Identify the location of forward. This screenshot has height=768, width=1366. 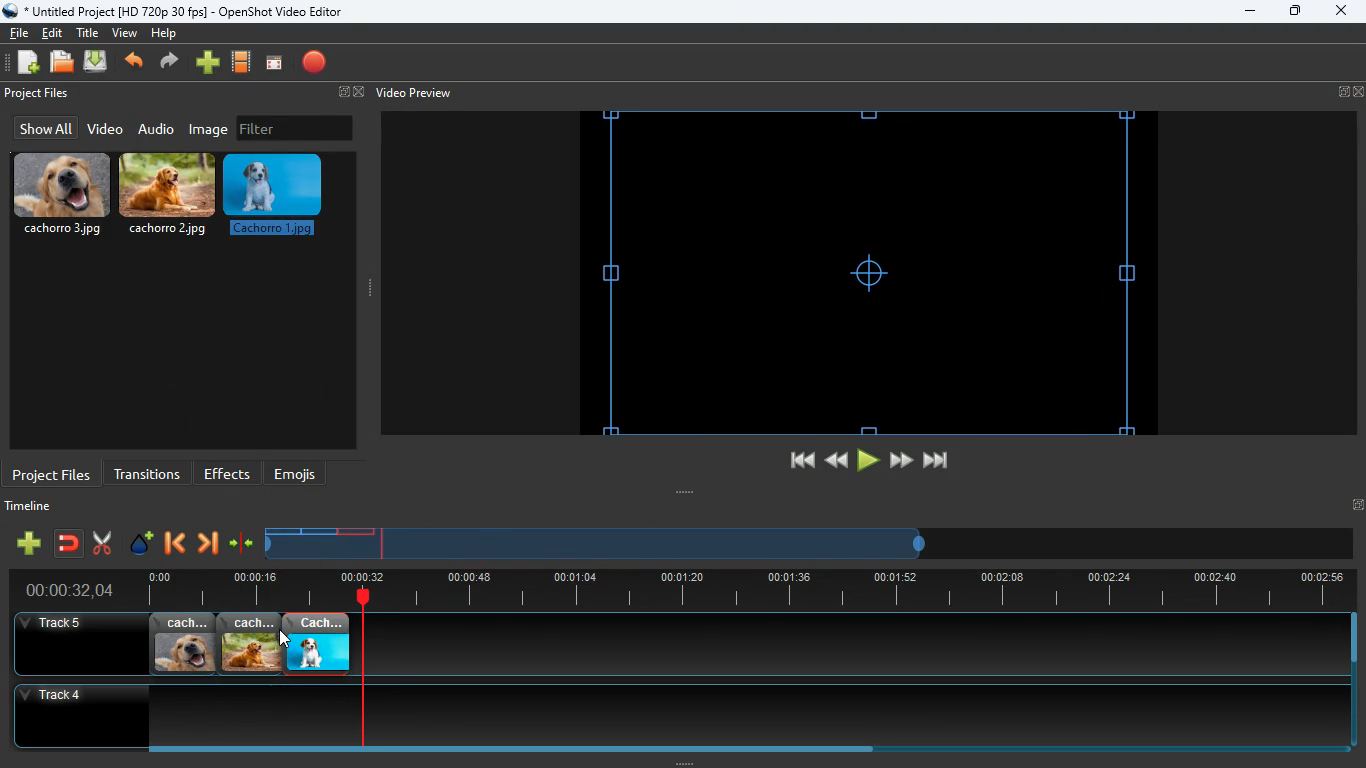
(207, 545).